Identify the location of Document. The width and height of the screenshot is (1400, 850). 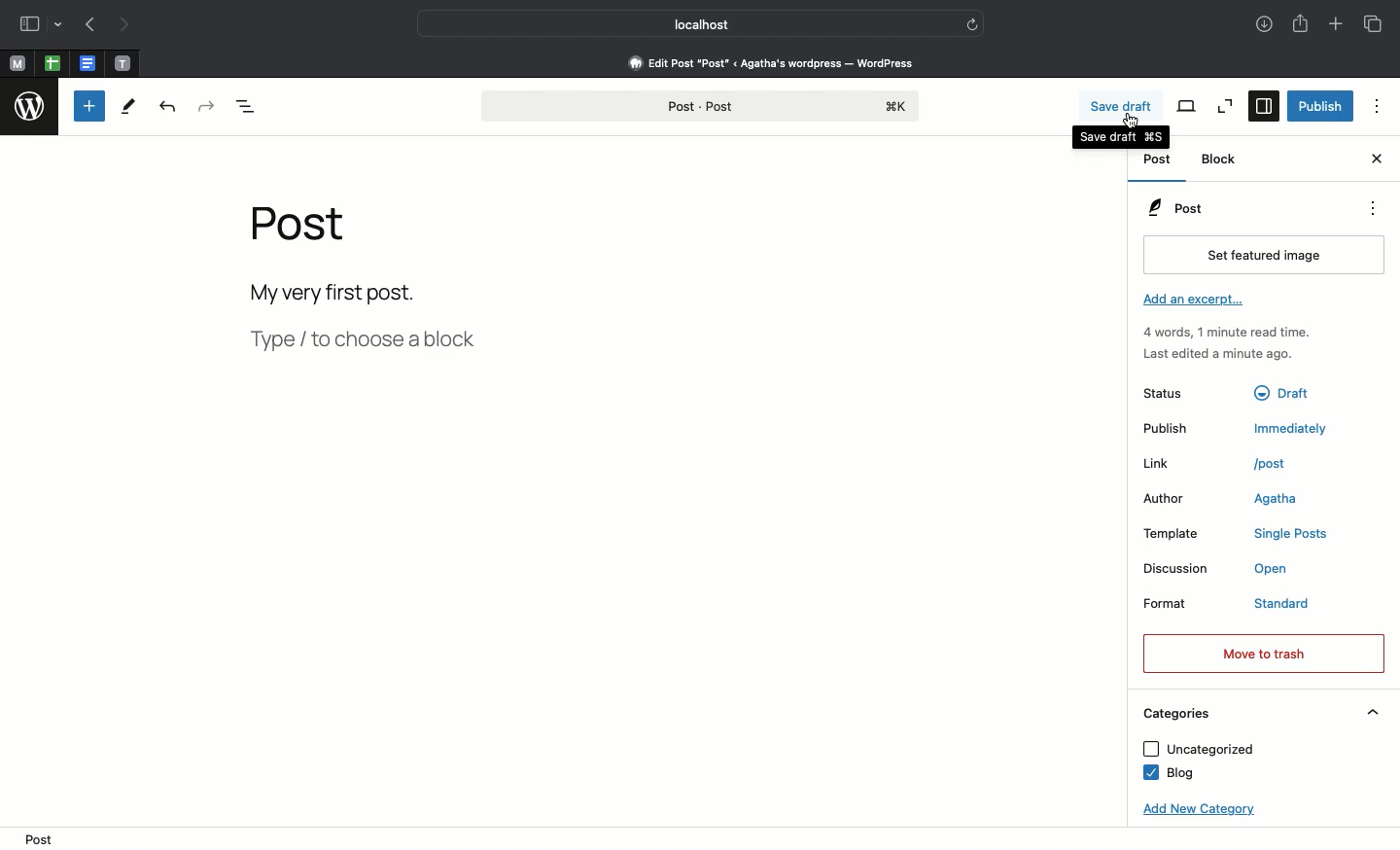
(87, 64).